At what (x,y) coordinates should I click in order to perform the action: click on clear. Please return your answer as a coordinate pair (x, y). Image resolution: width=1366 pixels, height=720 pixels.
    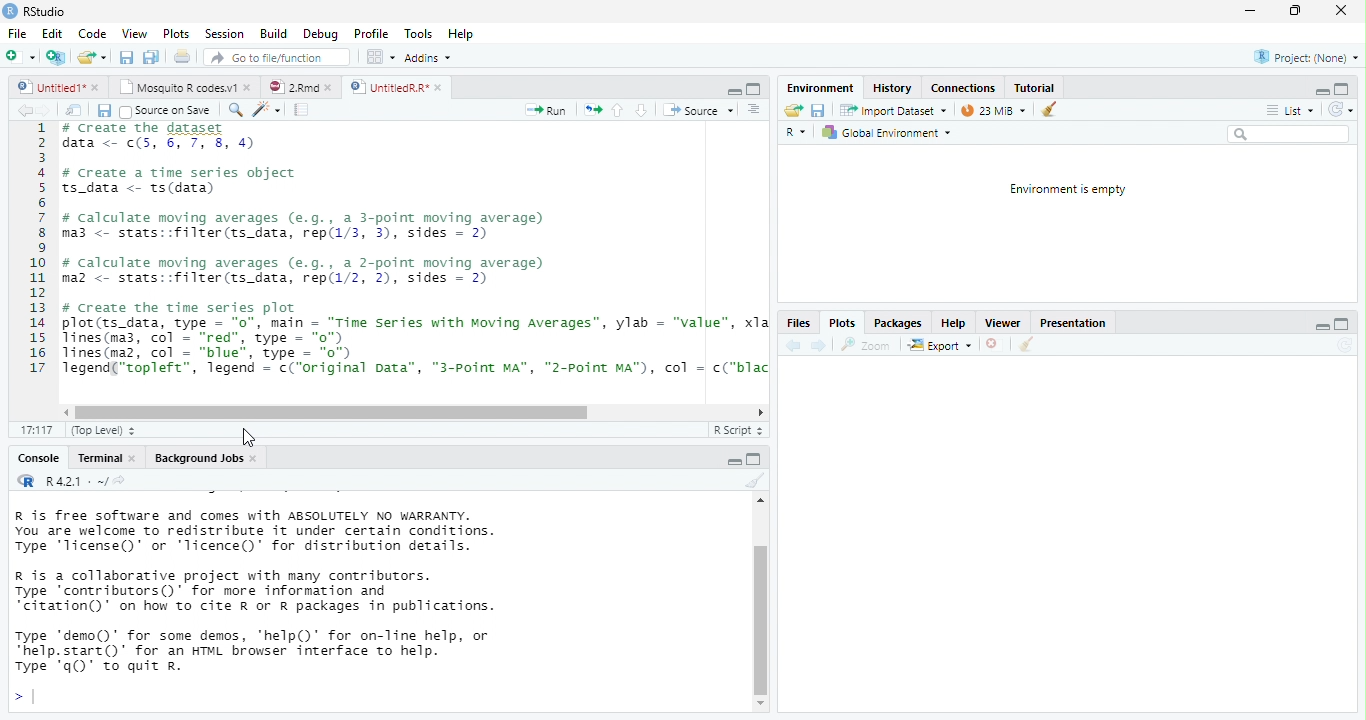
    Looking at the image, I should click on (1025, 346).